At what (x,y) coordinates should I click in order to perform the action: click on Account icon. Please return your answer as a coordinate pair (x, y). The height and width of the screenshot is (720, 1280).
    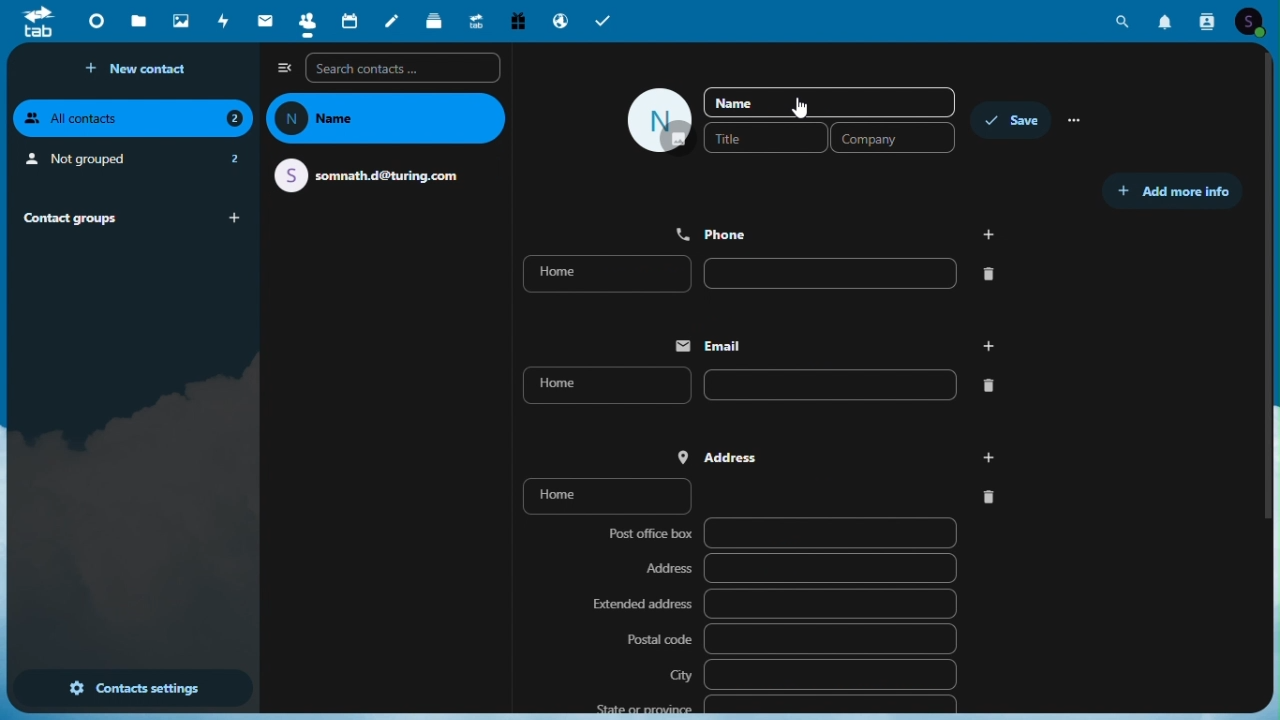
    Looking at the image, I should click on (1258, 22).